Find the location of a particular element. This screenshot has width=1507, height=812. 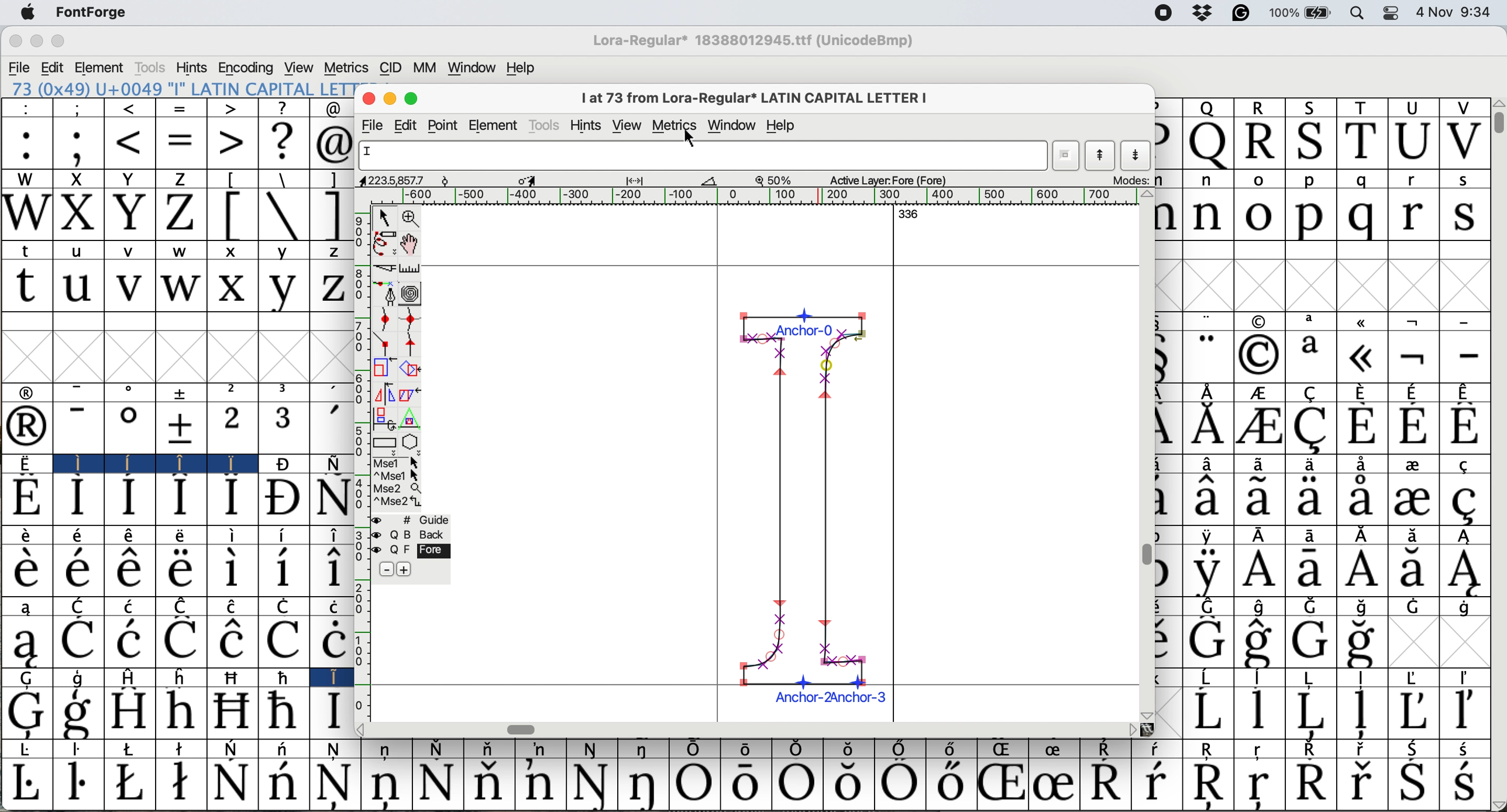

Symbol is located at coordinates (181, 641).